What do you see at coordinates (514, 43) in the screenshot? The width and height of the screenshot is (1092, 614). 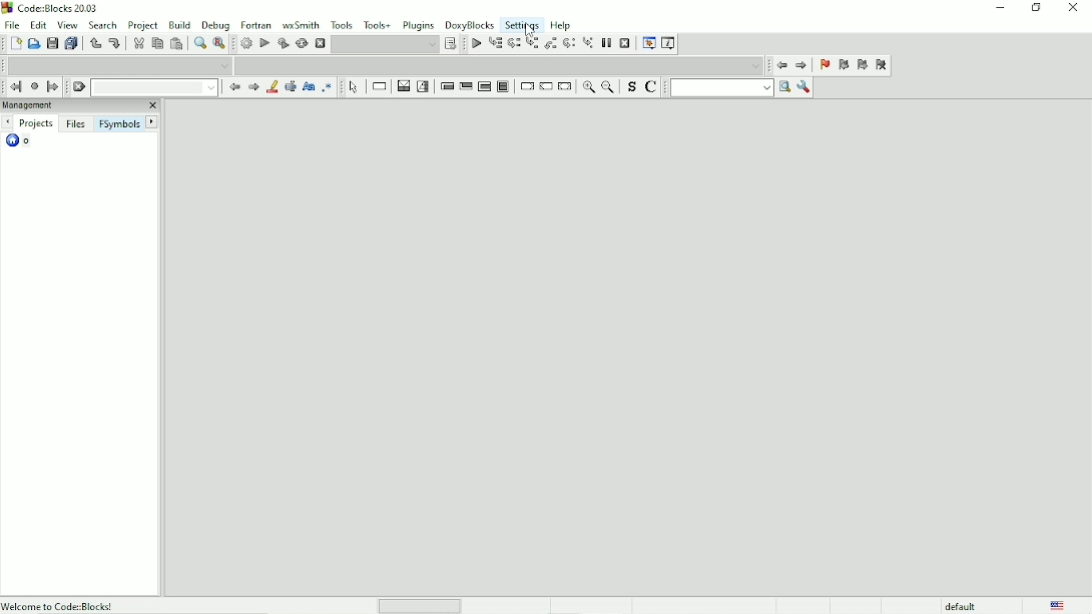 I see `Next line` at bounding box center [514, 43].